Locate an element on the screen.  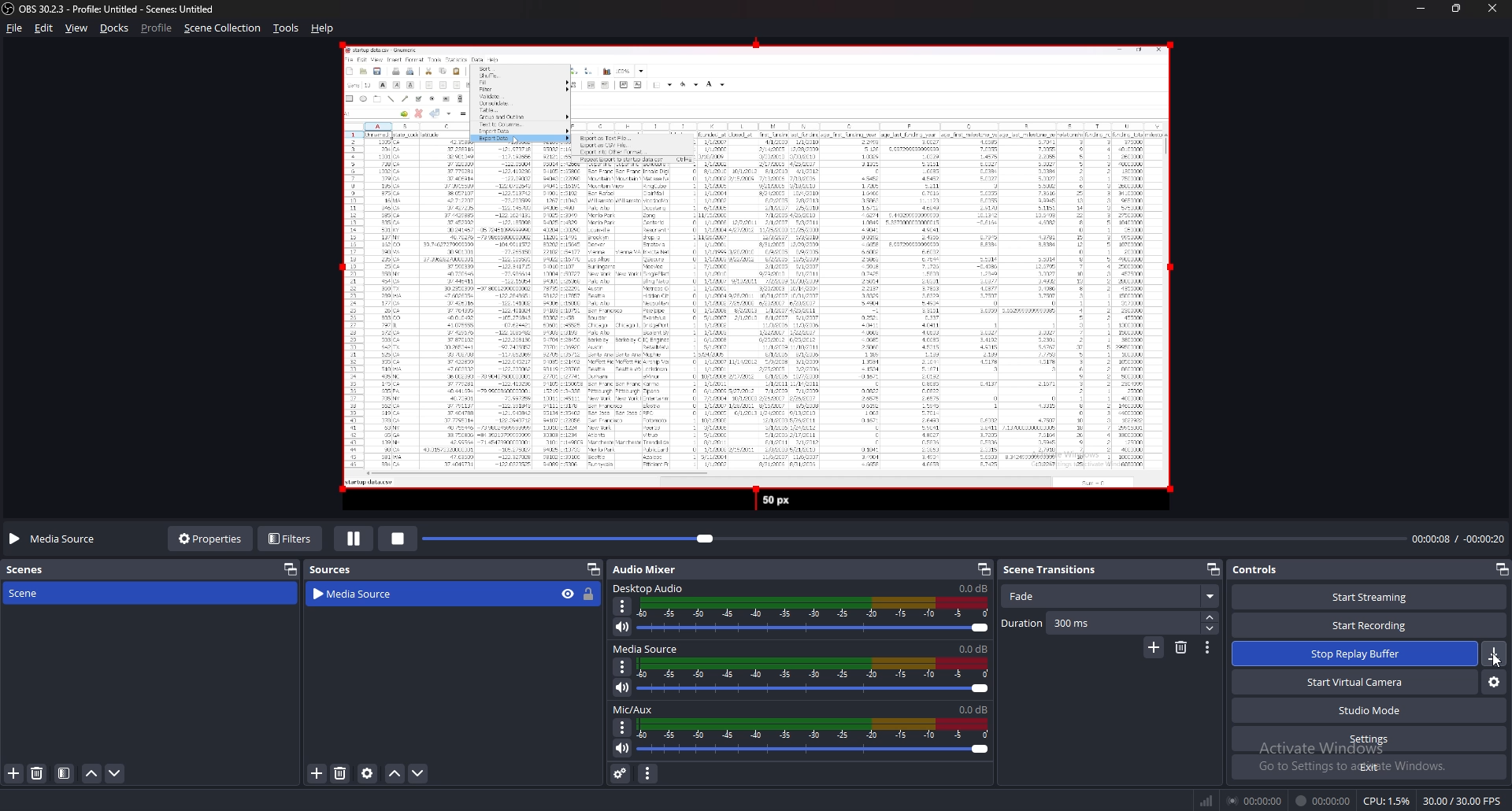
scenes is located at coordinates (34, 571).